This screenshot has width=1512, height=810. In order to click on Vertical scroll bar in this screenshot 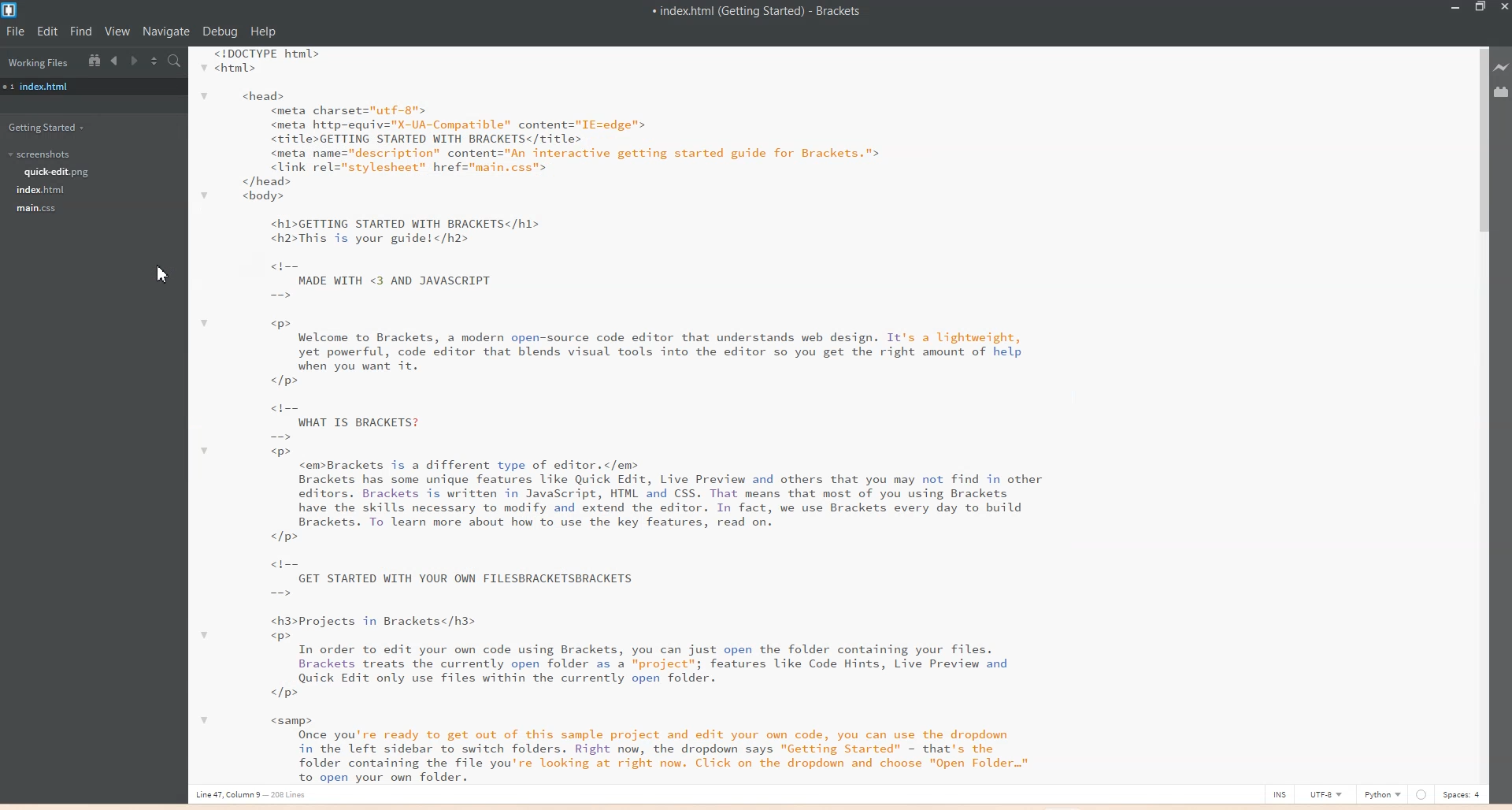, I will do `click(1480, 414)`.